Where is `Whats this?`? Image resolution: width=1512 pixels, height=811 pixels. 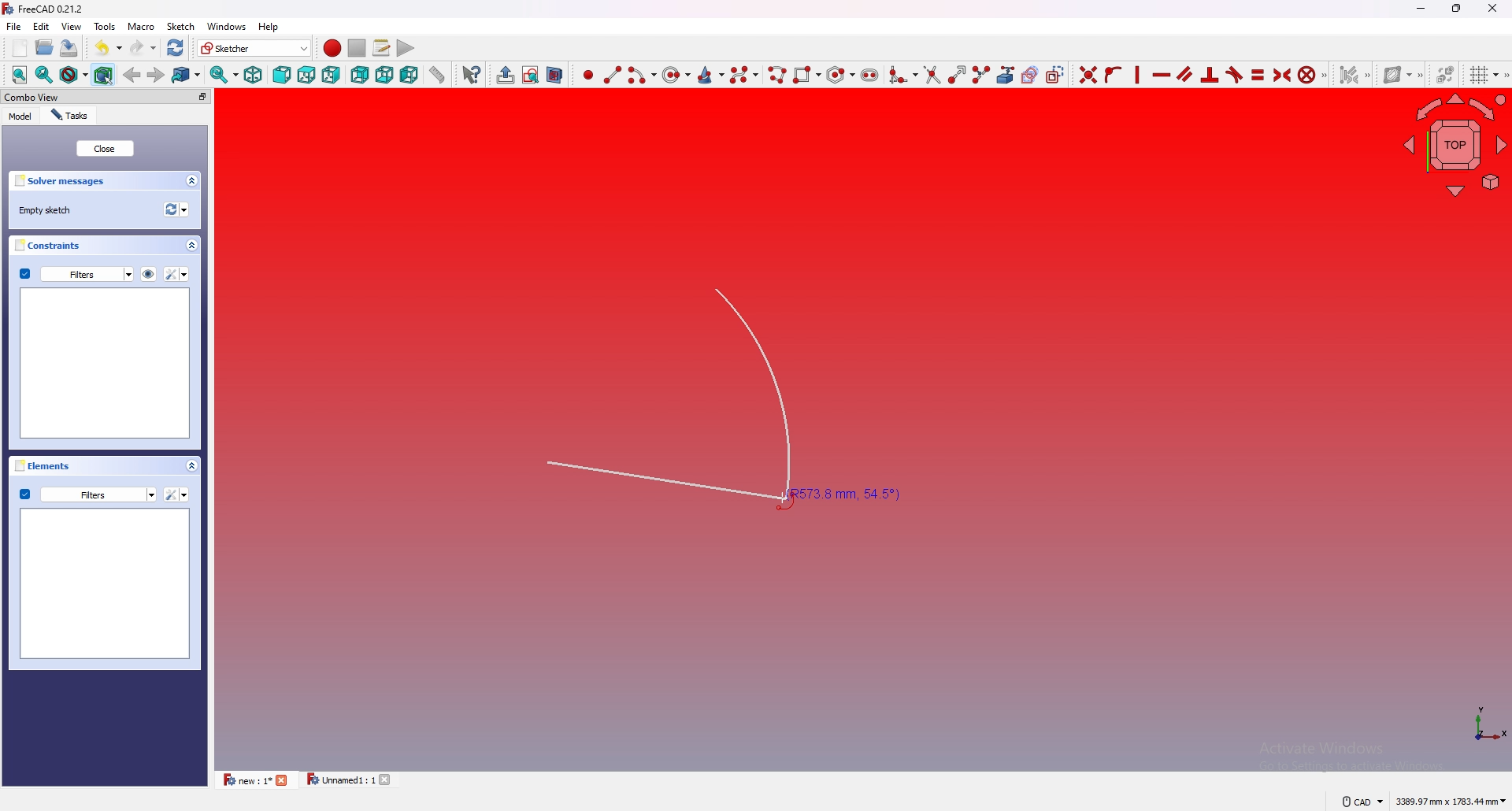
Whats this? is located at coordinates (472, 74).